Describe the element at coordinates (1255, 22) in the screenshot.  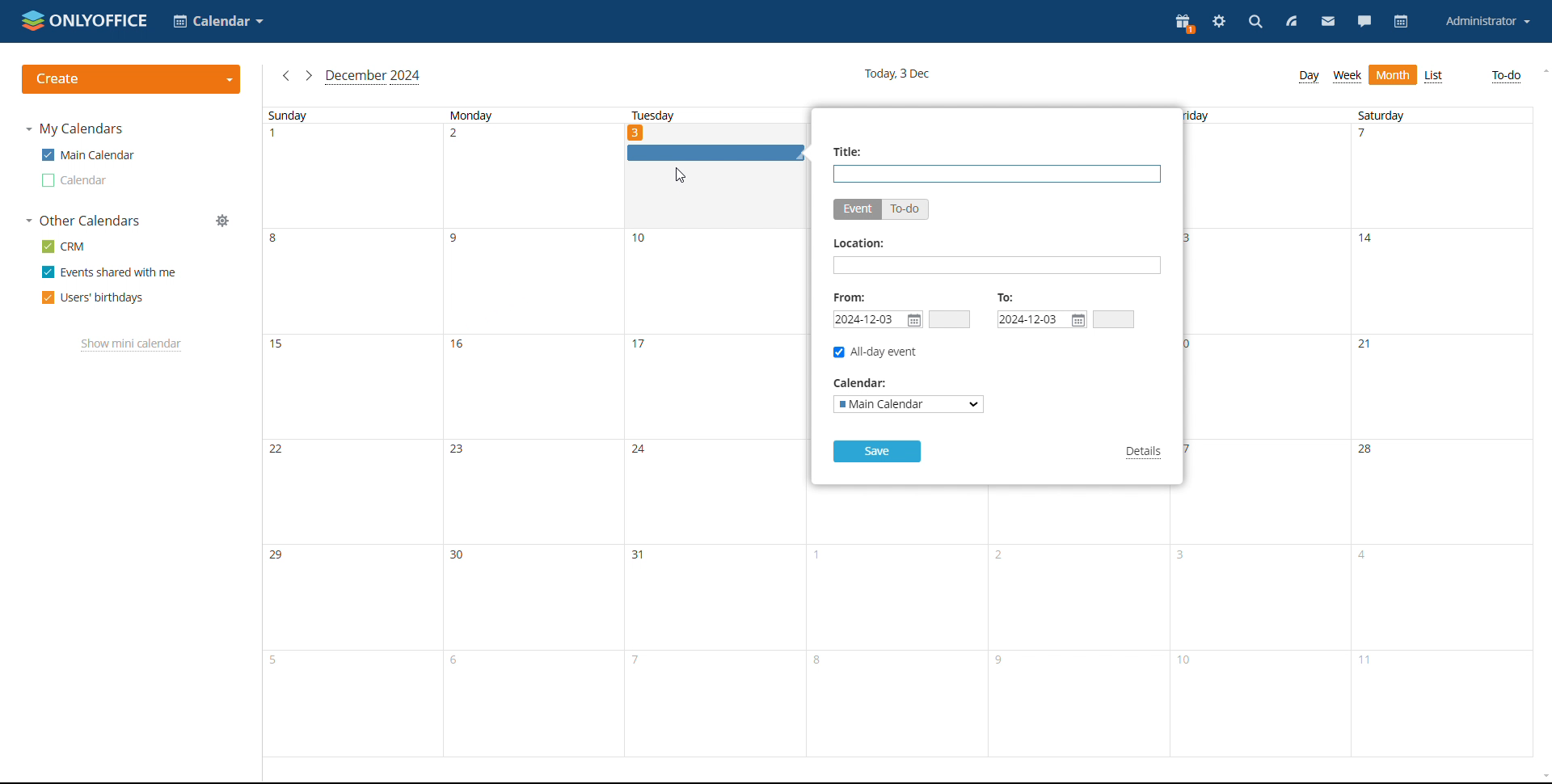
I see `search` at that location.